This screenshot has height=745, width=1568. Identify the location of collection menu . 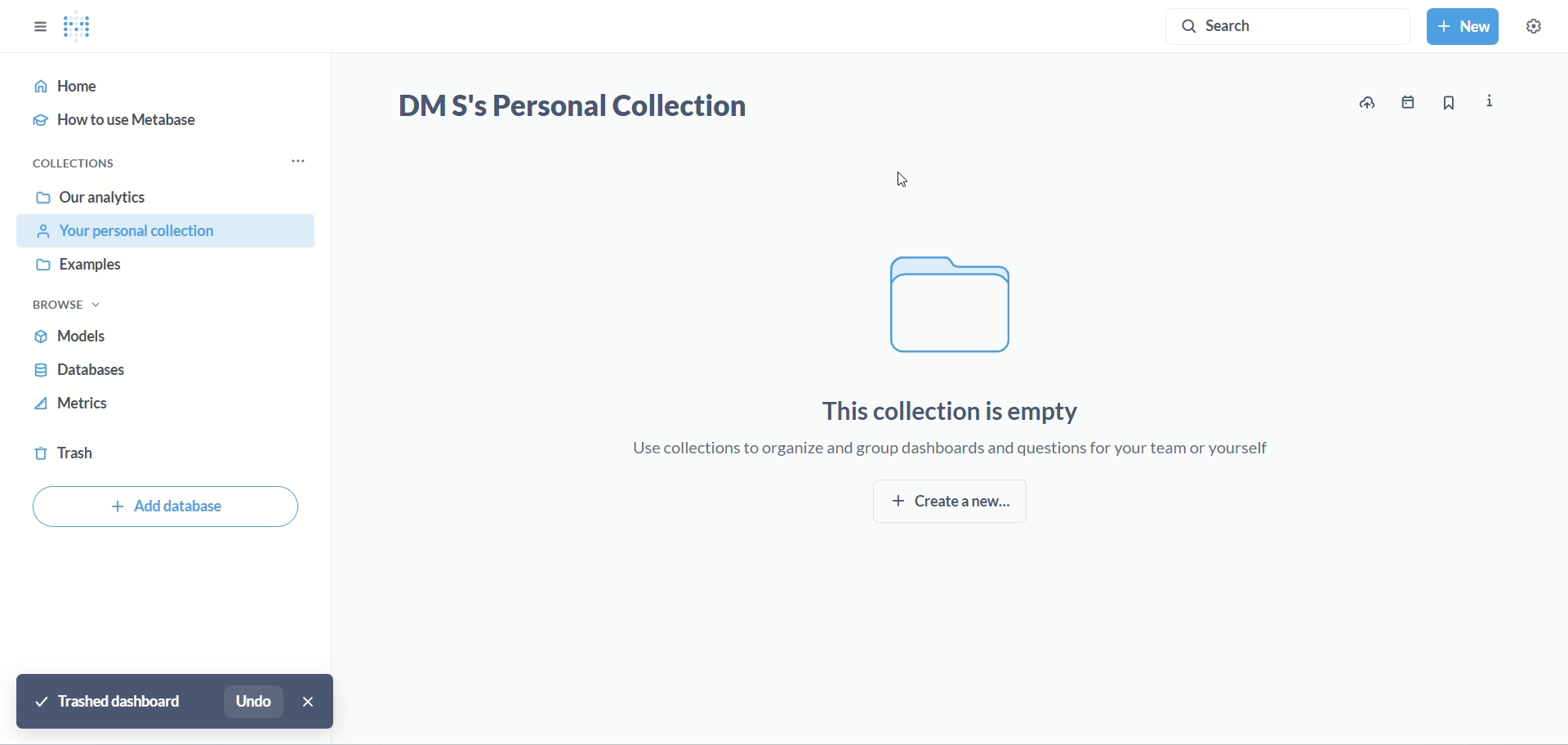
(305, 161).